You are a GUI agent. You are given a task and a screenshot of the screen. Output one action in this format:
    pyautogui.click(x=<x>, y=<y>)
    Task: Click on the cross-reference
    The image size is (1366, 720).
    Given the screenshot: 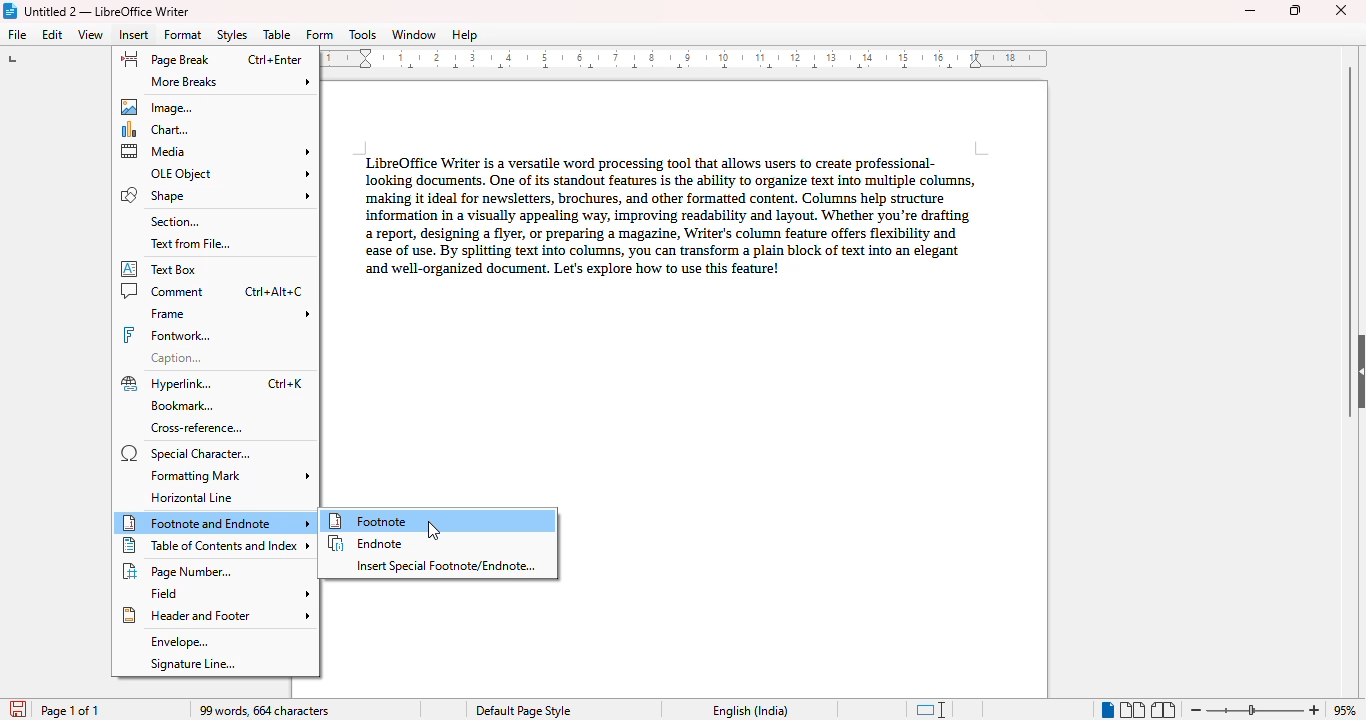 What is the action you would take?
    pyautogui.click(x=198, y=429)
    